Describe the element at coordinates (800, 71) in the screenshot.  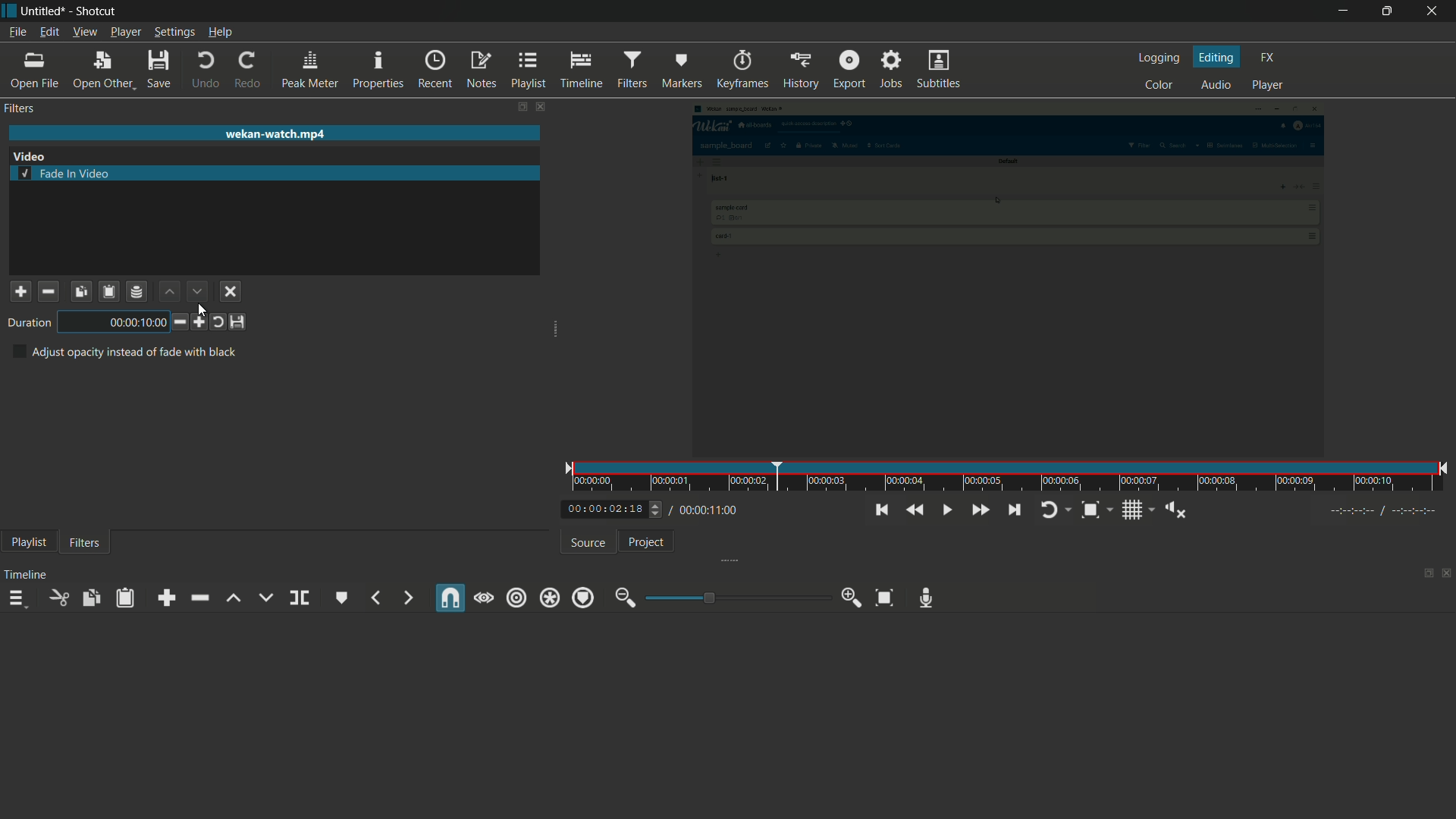
I see `history` at that location.